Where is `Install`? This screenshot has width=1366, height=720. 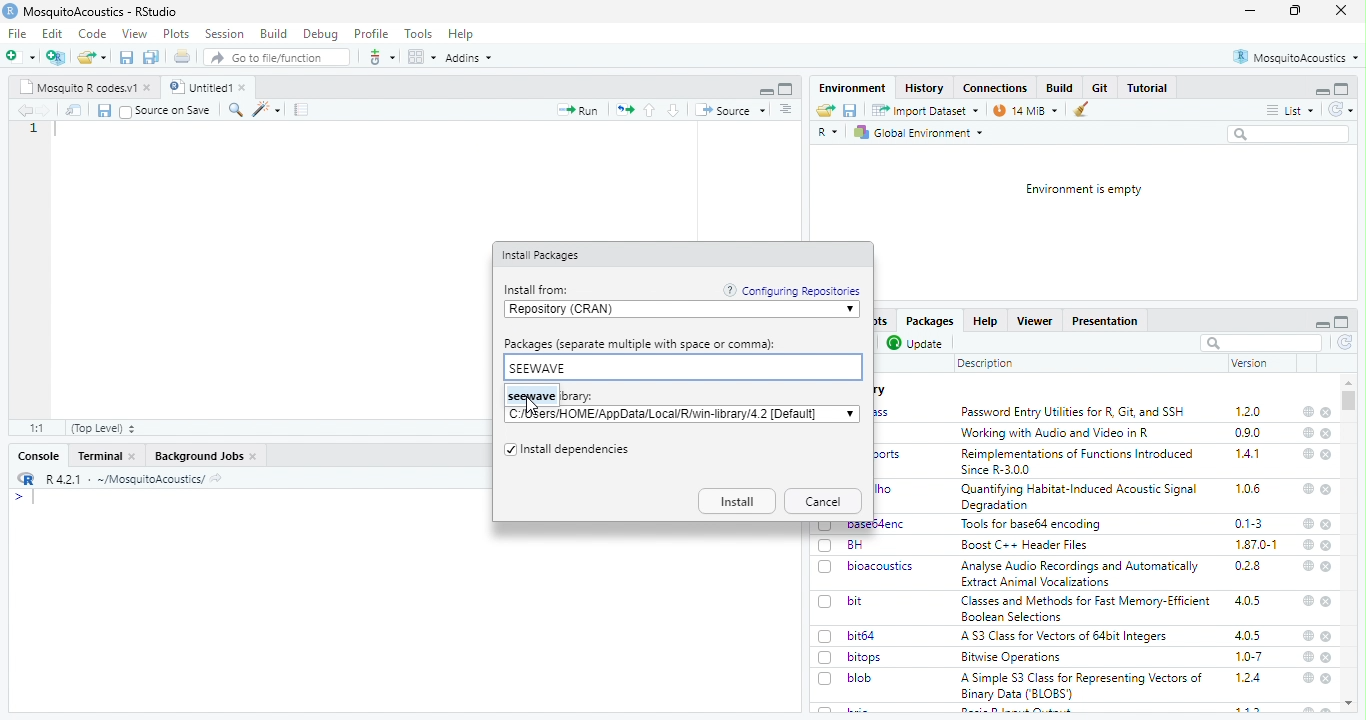 Install is located at coordinates (737, 501).